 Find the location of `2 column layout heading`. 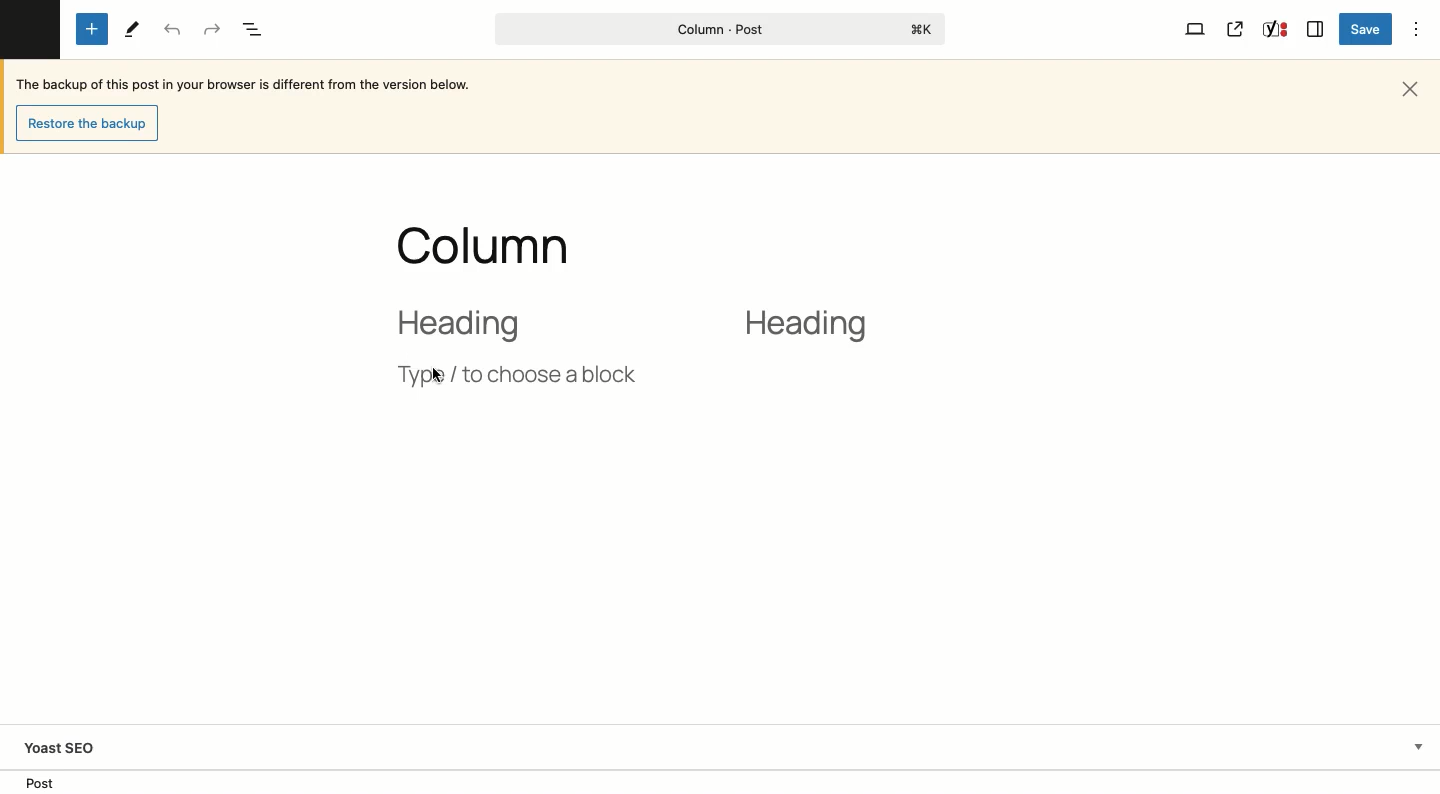

2 column layout heading is located at coordinates (638, 323).